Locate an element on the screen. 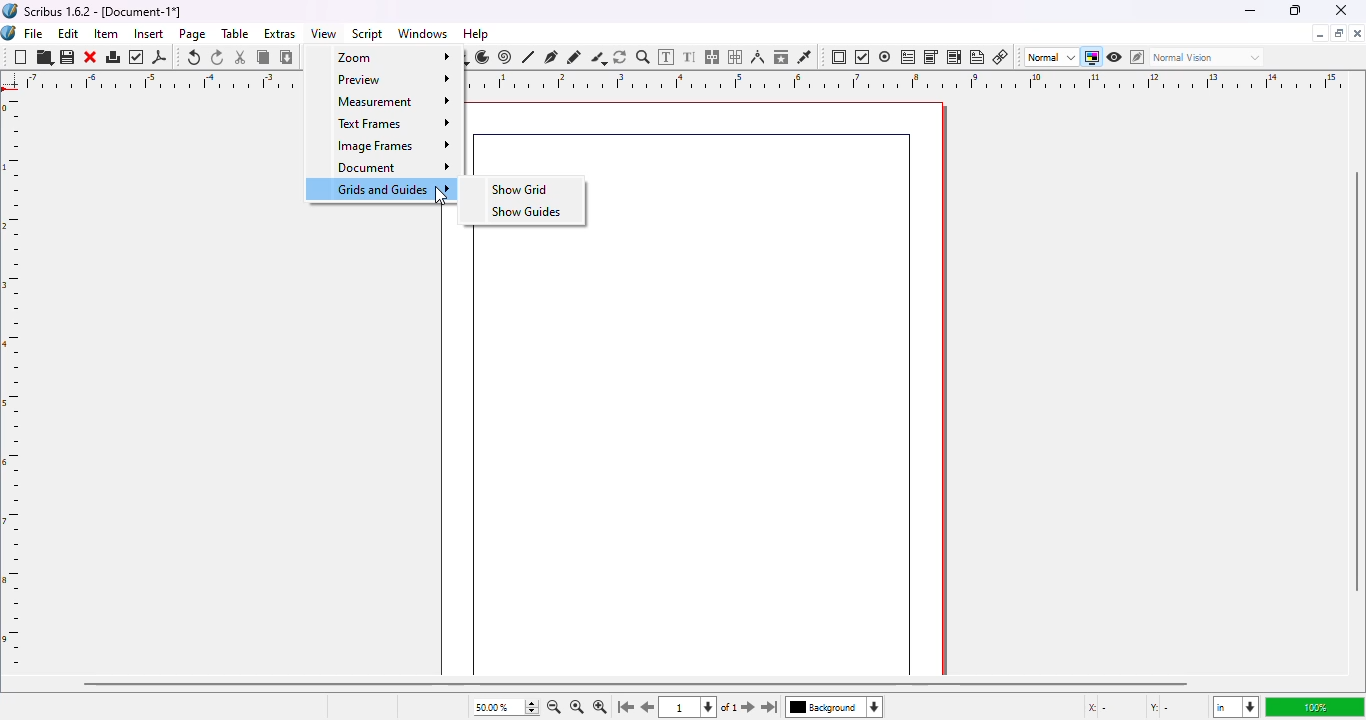 The image size is (1366, 720). edit is located at coordinates (68, 33).